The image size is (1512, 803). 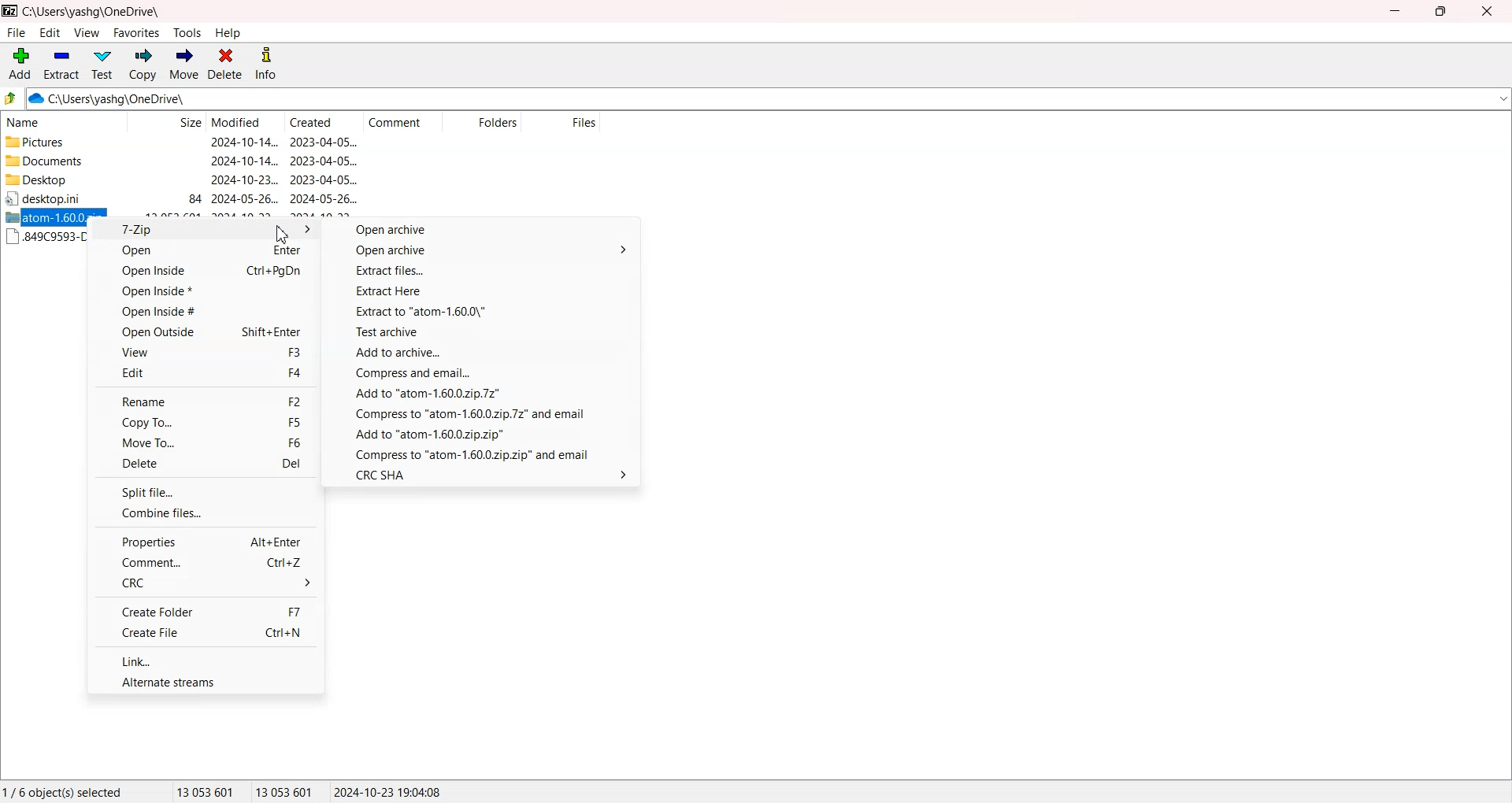 I want to click on Move, so click(x=183, y=65).